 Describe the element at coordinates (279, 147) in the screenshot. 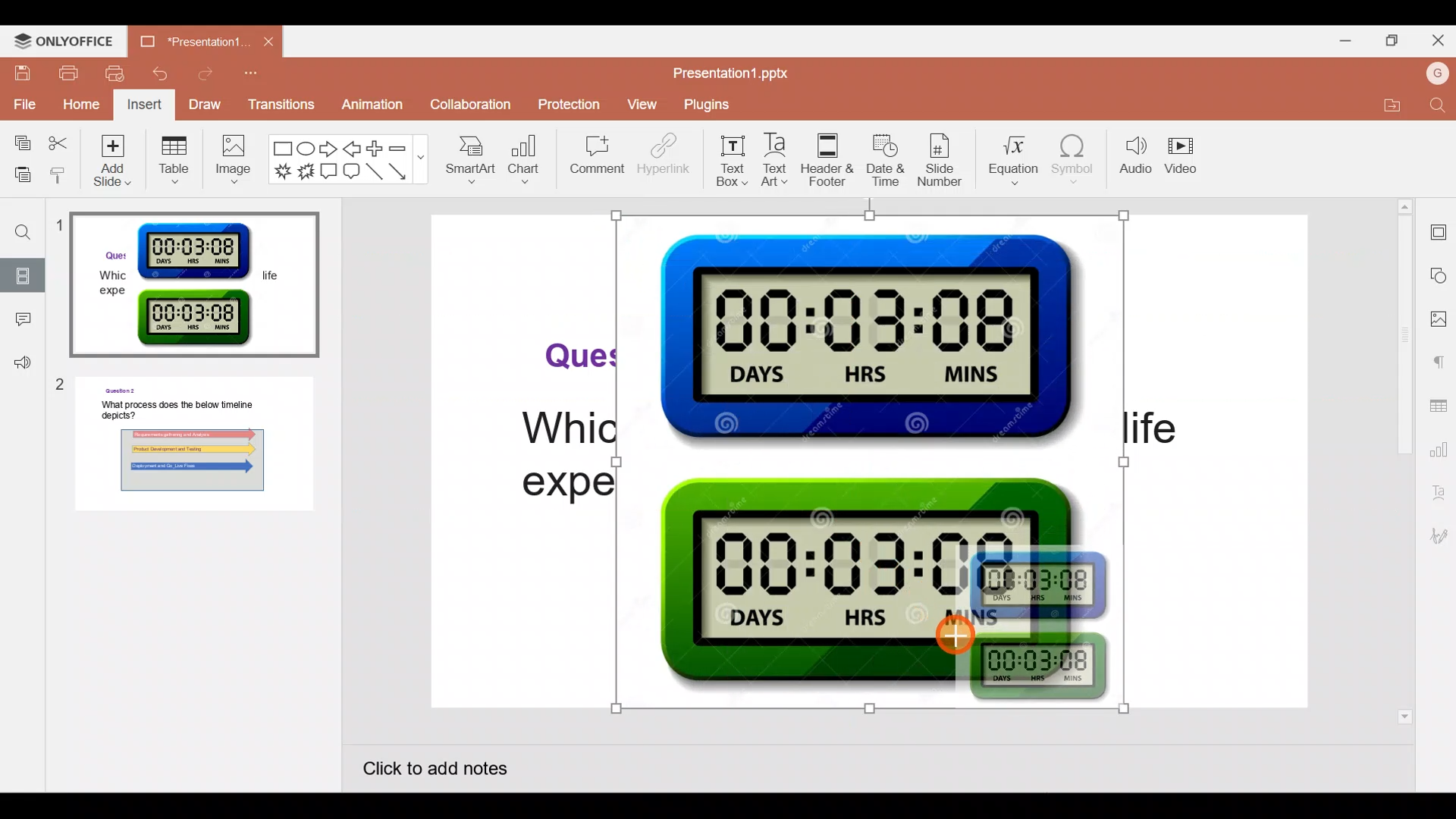

I see `Rectangle` at that location.